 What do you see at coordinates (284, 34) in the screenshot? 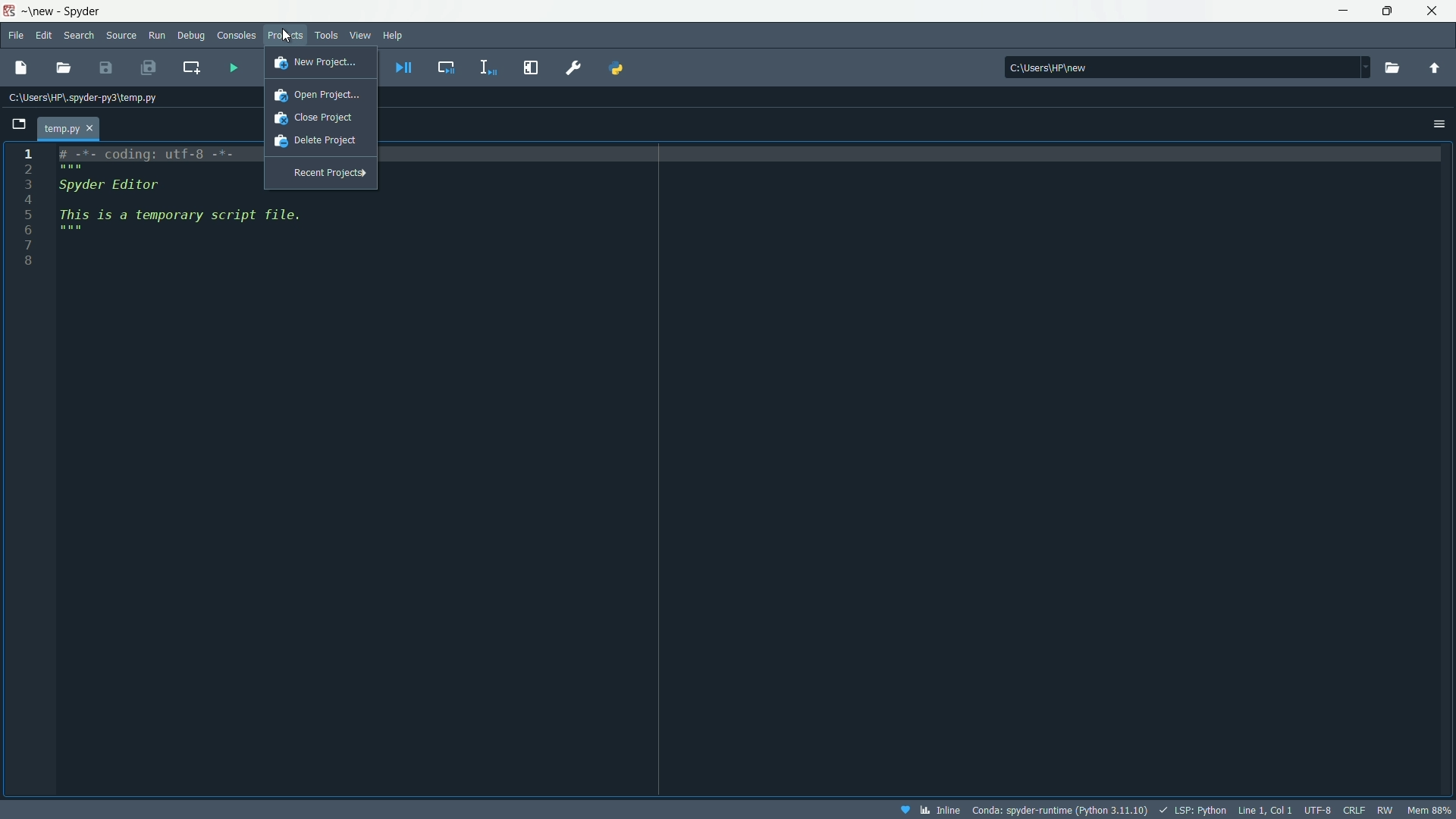
I see `Product menu` at bounding box center [284, 34].